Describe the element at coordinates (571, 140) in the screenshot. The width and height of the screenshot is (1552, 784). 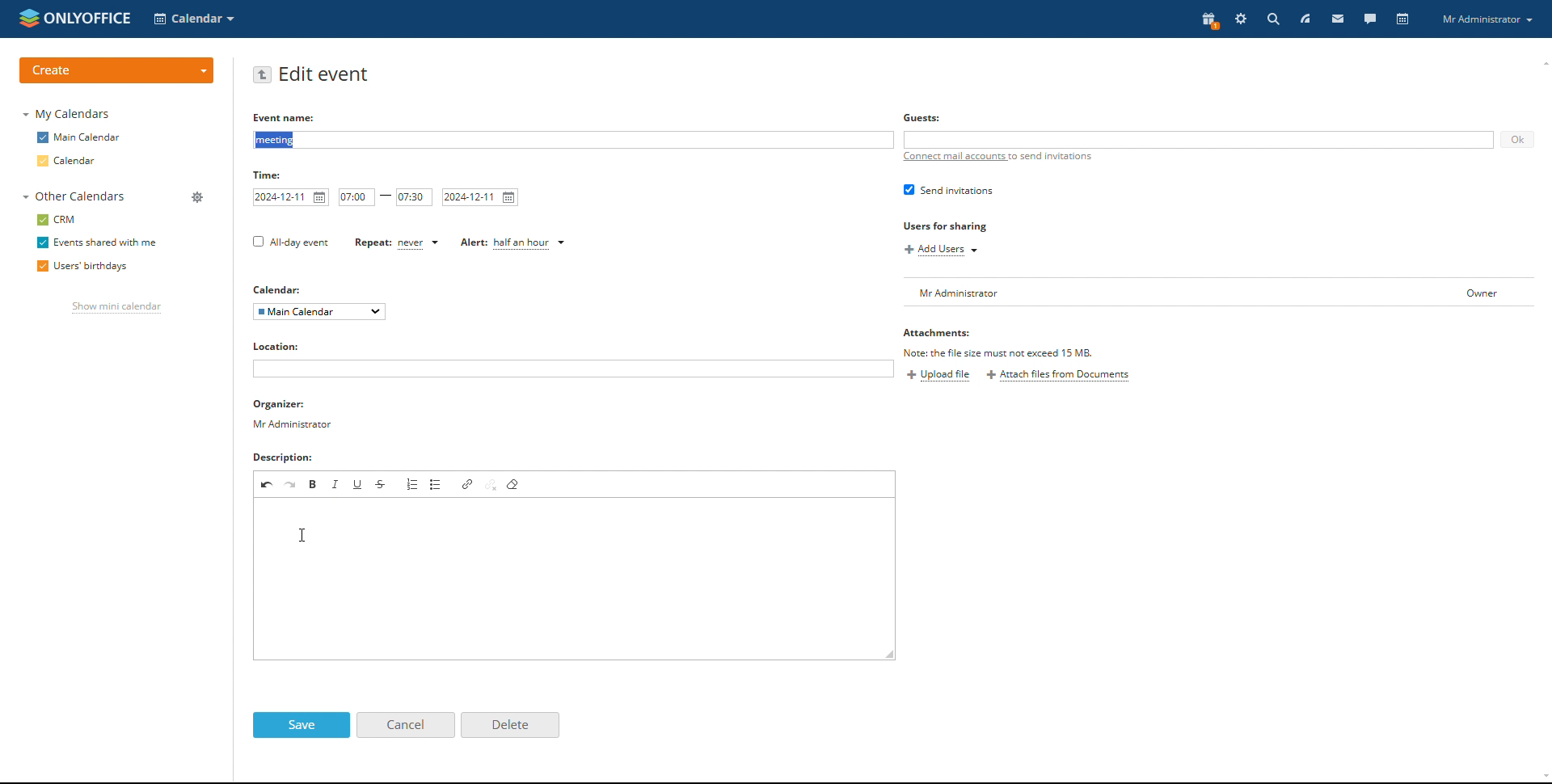
I see `add event name` at that location.